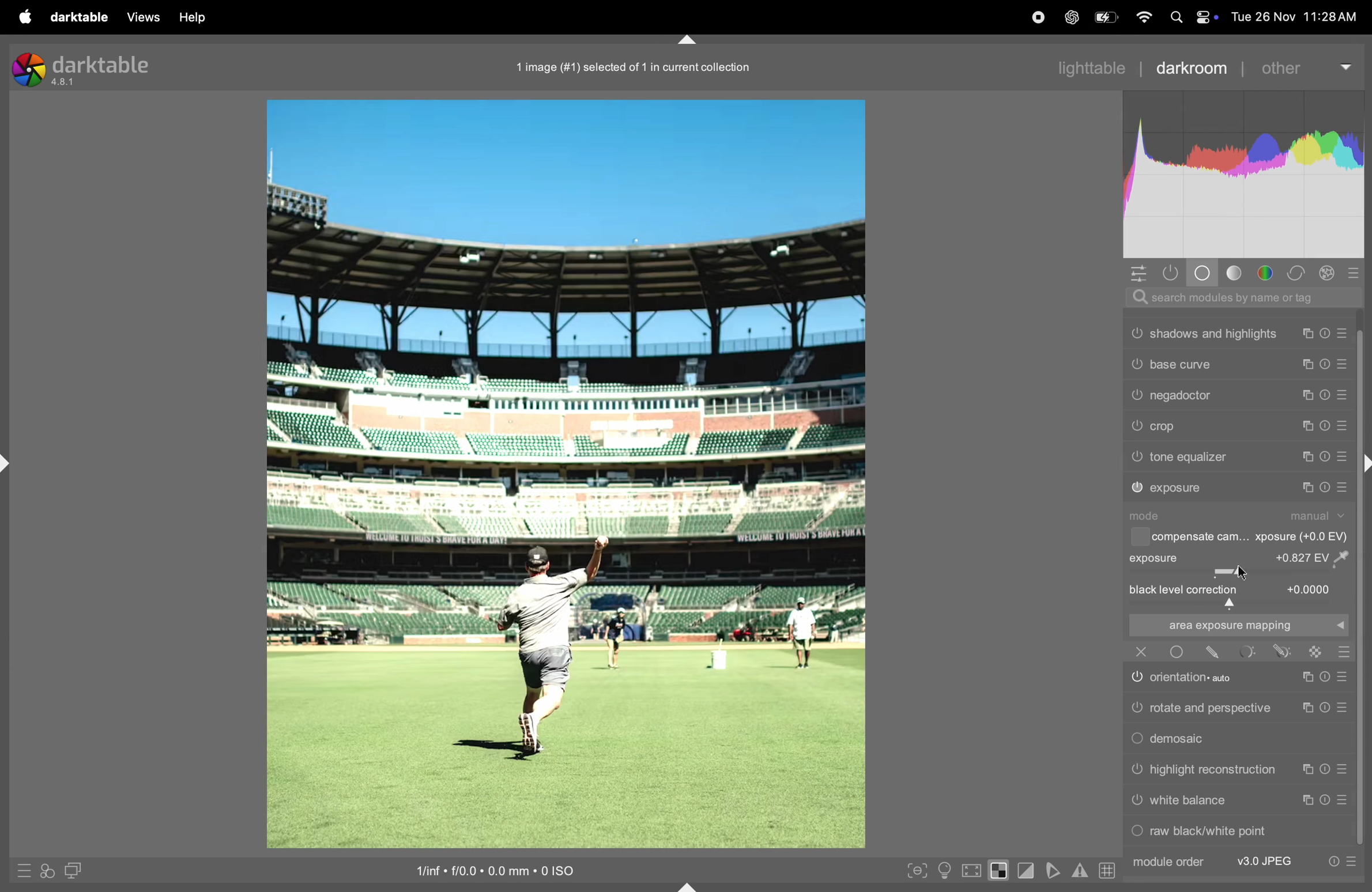  Describe the element at coordinates (1342, 677) in the screenshot. I see `Preset` at that location.